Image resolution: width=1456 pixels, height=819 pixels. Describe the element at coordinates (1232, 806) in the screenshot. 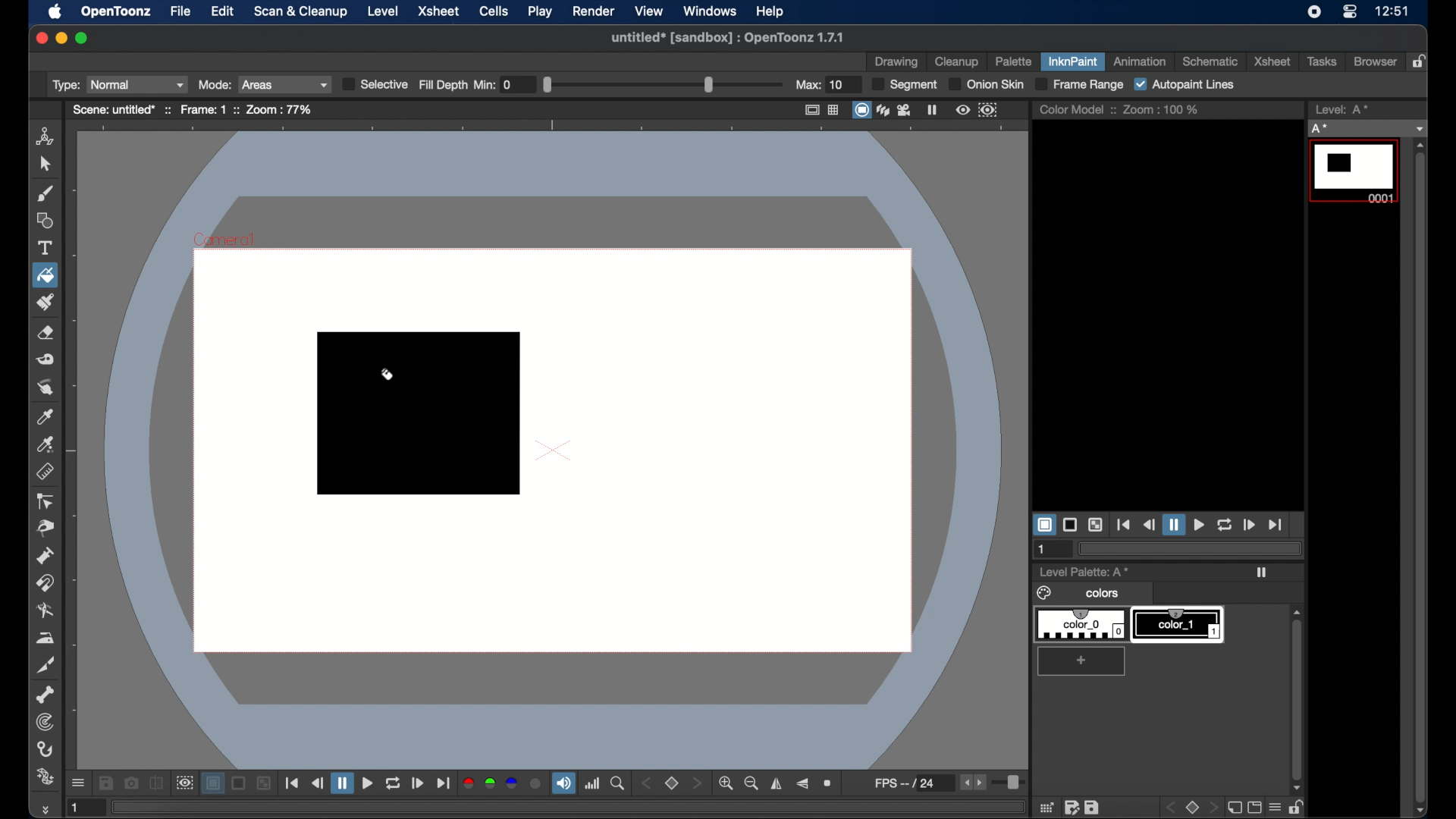

I see `new page` at that location.